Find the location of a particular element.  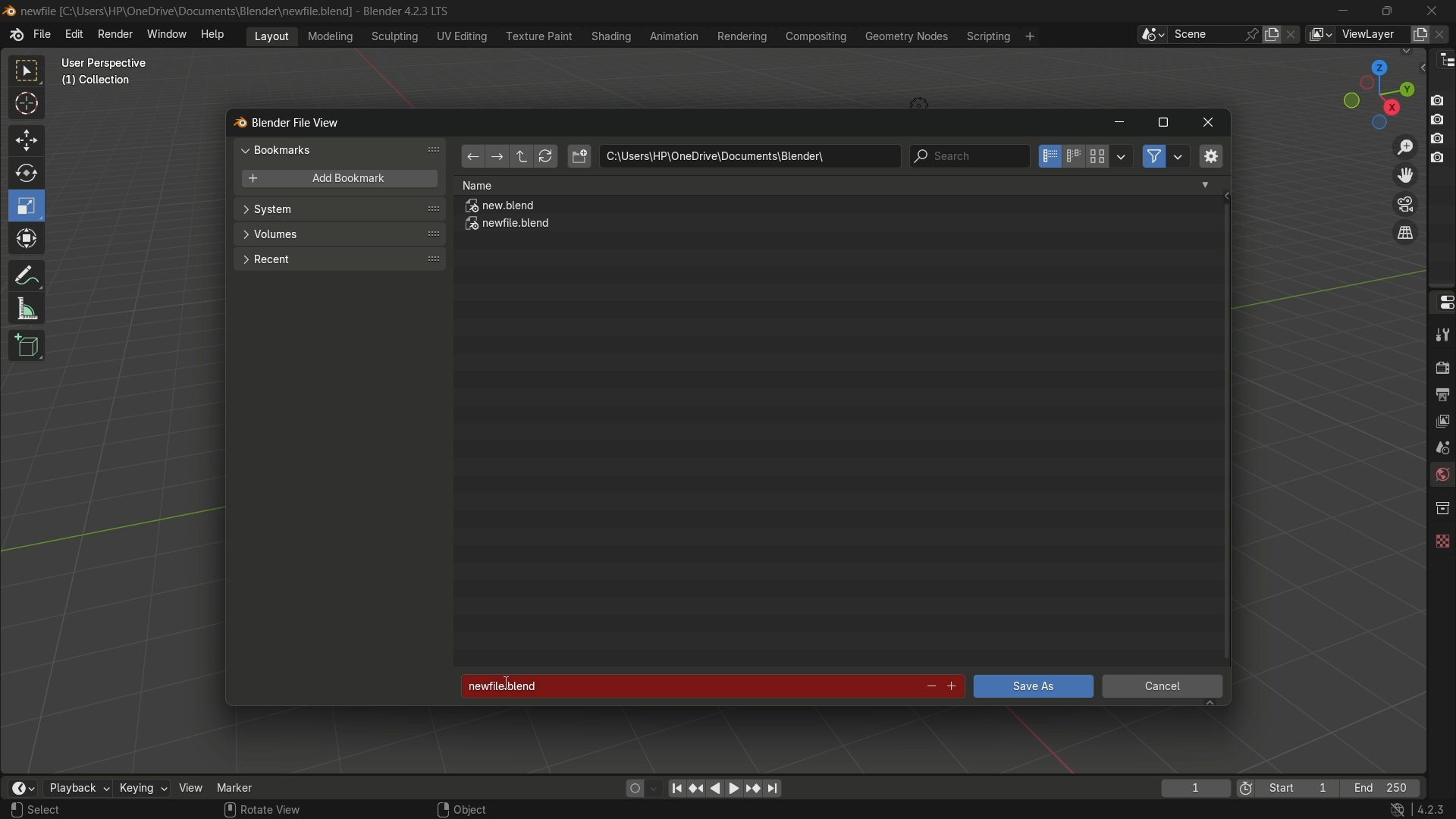

shading menu is located at coordinates (609, 36).